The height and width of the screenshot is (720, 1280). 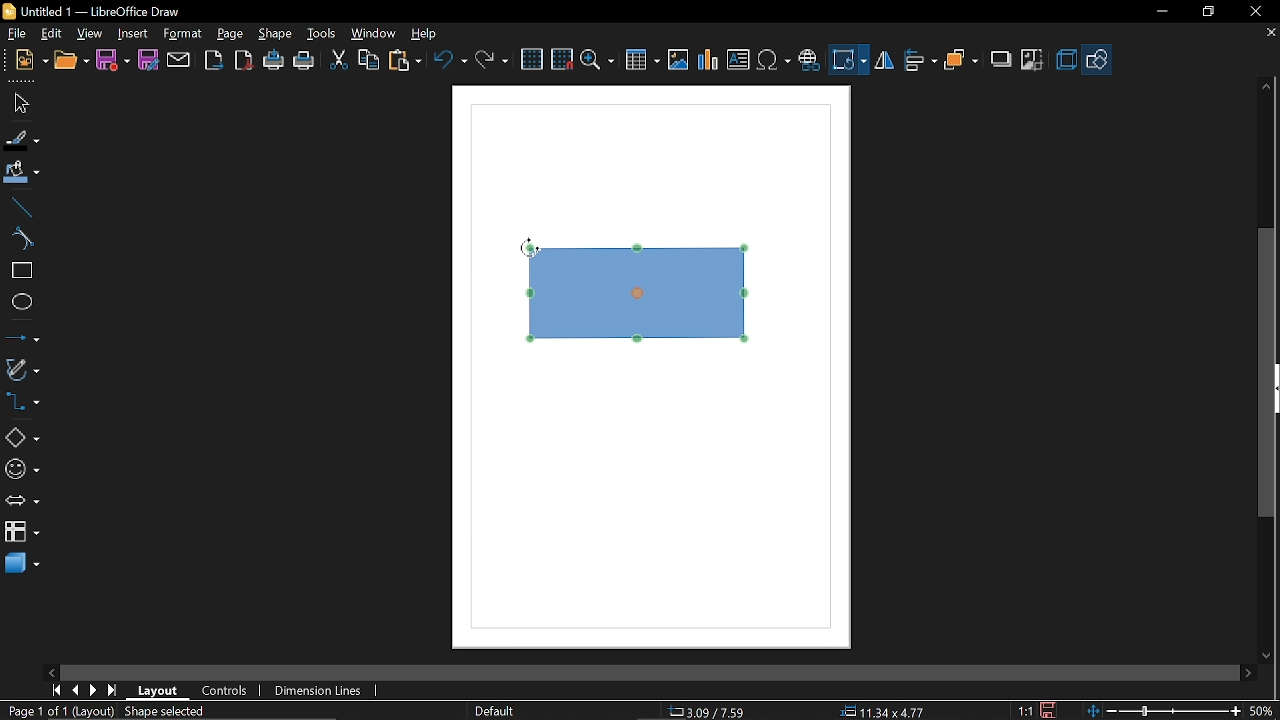 I want to click on Shadow, so click(x=998, y=60).